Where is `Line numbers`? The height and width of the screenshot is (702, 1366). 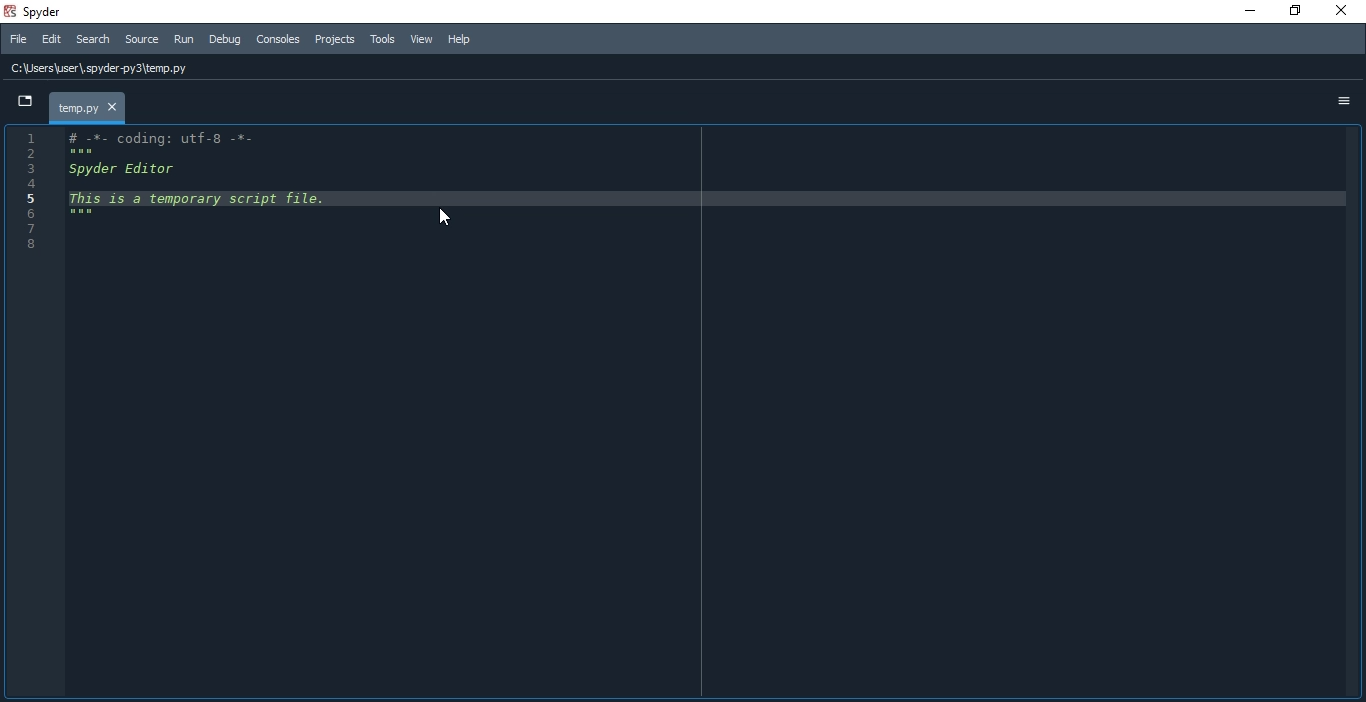
Line numbers is located at coordinates (33, 198).